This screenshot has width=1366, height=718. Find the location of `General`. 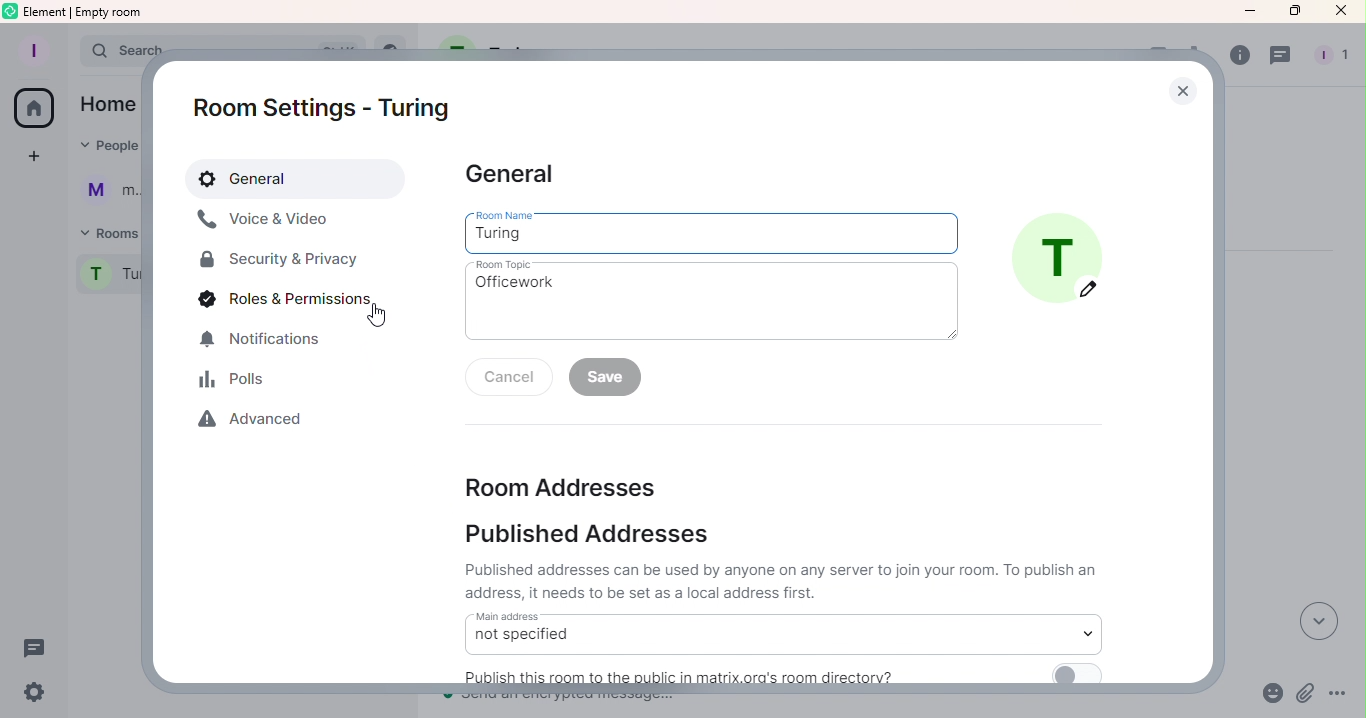

General is located at coordinates (301, 175).